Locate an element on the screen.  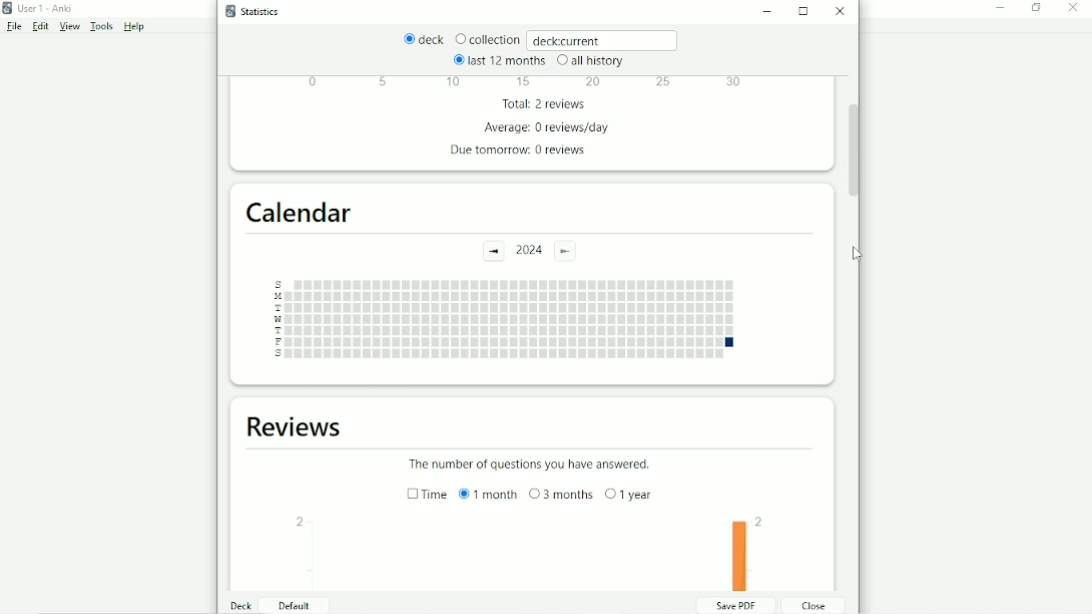
Collection is located at coordinates (487, 40).